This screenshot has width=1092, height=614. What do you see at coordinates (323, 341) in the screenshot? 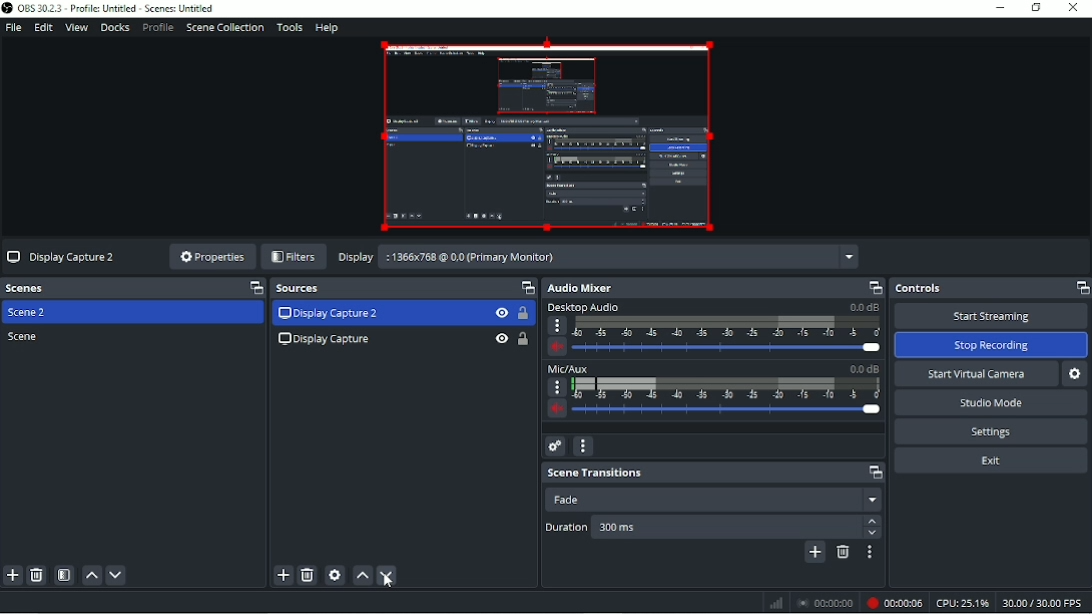
I see `Display Capture ` at bounding box center [323, 341].